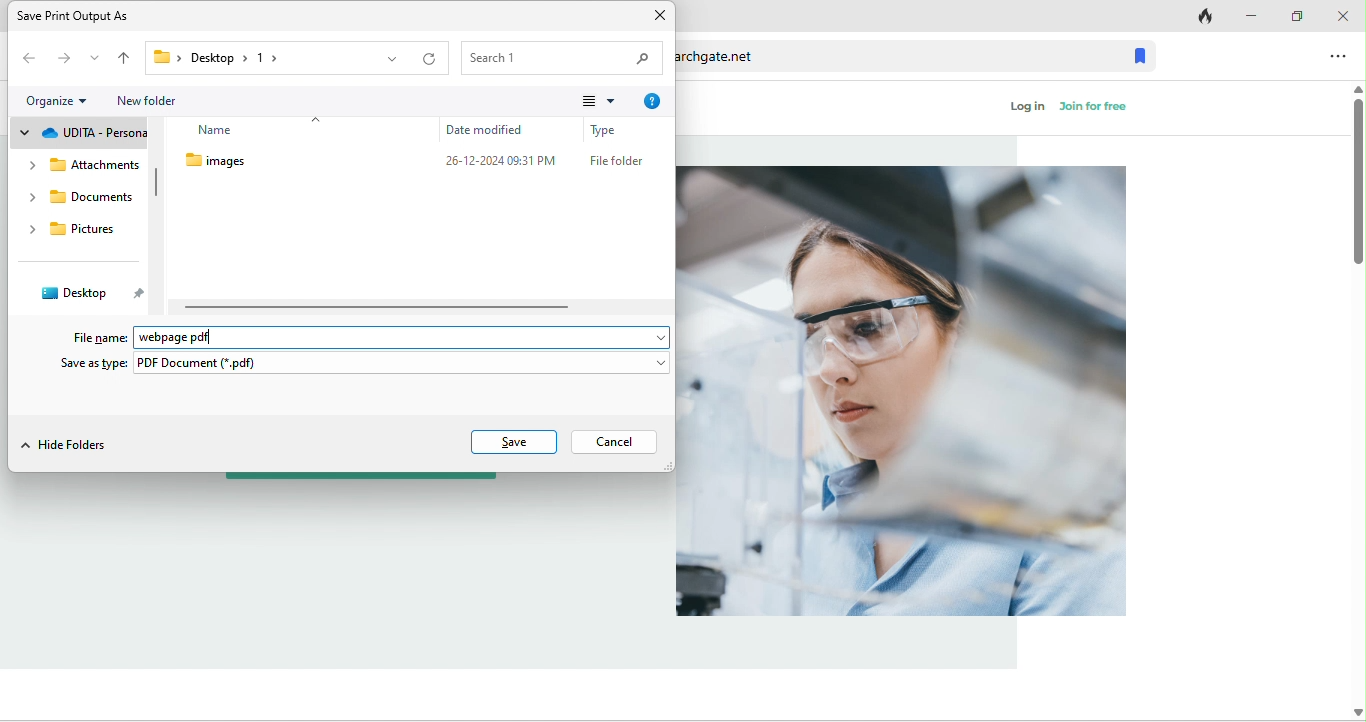 The image size is (1366, 722). What do you see at coordinates (1141, 54) in the screenshot?
I see `bookmark` at bounding box center [1141, 54].